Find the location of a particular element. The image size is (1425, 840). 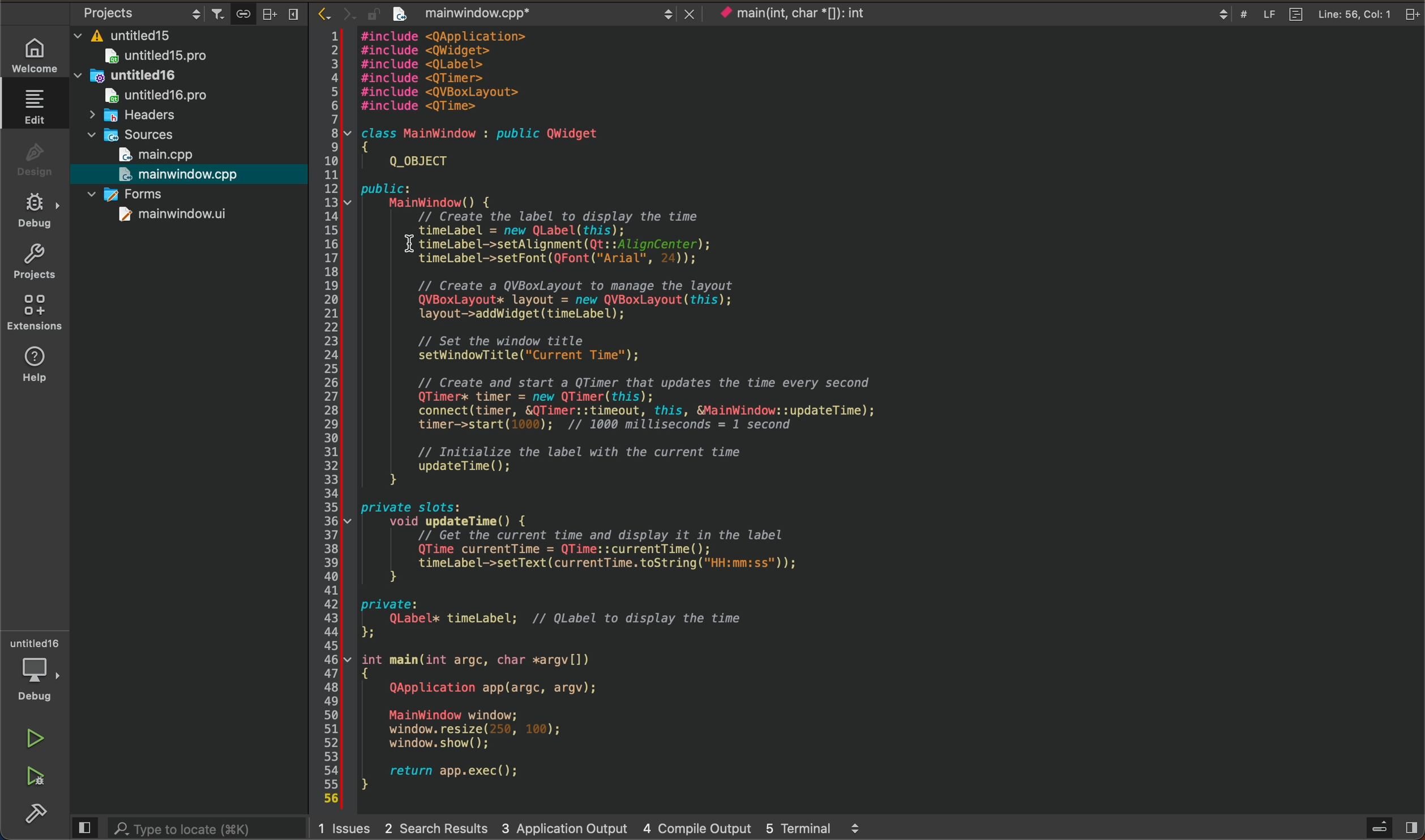

EE WAIT. LUWe “Nyy tad avis
2 #include <QWidget>

3 #include <QLabel>

4  #include <QTimer>

5  #include <QVBoxLayout>

65  #include <QTime>

7 is located at coordinates (446, 72).